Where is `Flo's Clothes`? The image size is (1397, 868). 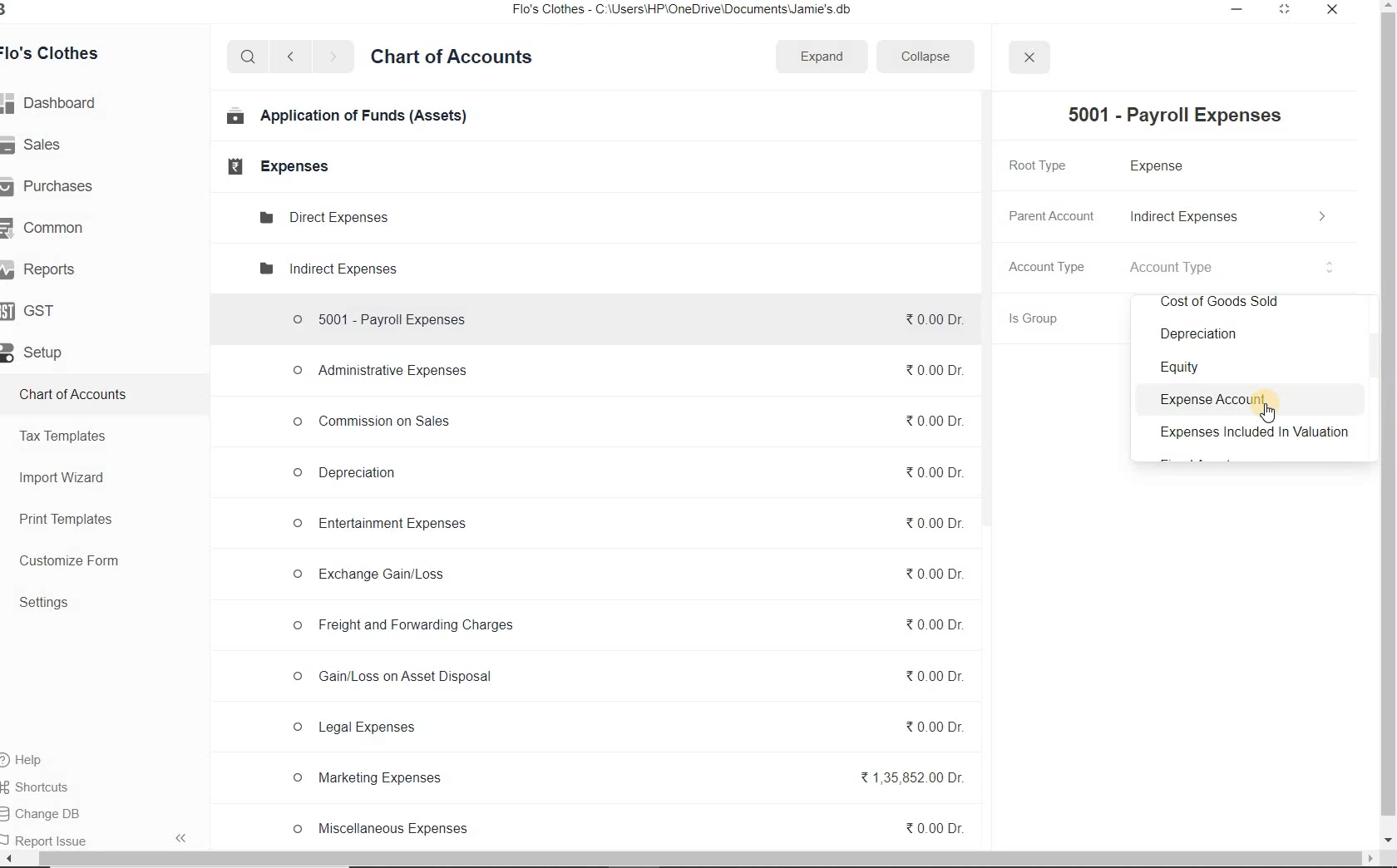 Flo's Clothes is located at coordinates (62, 52).